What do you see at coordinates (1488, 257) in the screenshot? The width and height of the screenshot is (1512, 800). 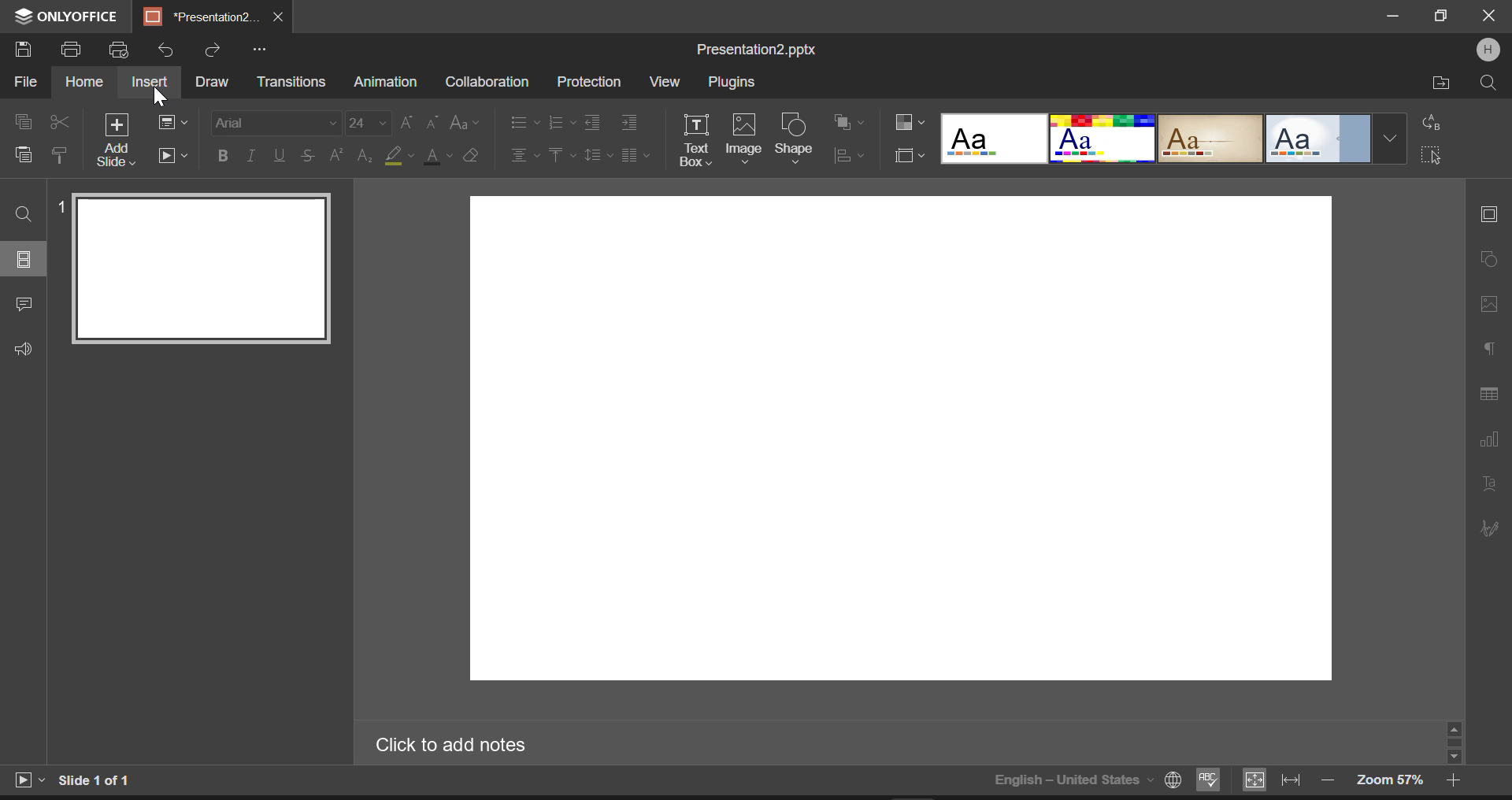 I see `Shape Settings` at bounding box center [1488, 257].